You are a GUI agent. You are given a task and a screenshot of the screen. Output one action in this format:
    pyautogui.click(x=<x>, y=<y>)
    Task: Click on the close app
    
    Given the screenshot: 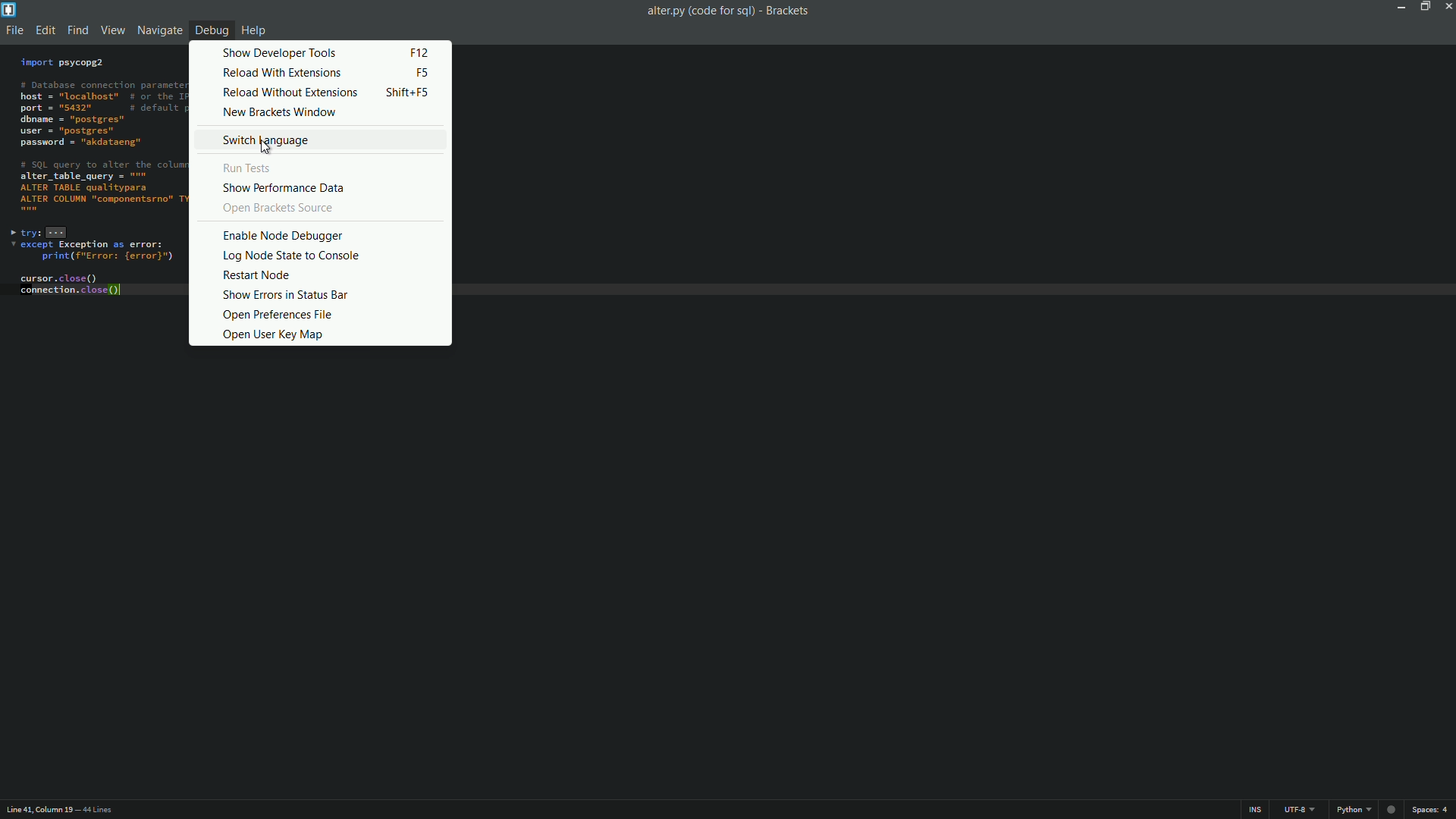 What is the action you would take?
    pyautogui.click(x=1447, y=8)
    